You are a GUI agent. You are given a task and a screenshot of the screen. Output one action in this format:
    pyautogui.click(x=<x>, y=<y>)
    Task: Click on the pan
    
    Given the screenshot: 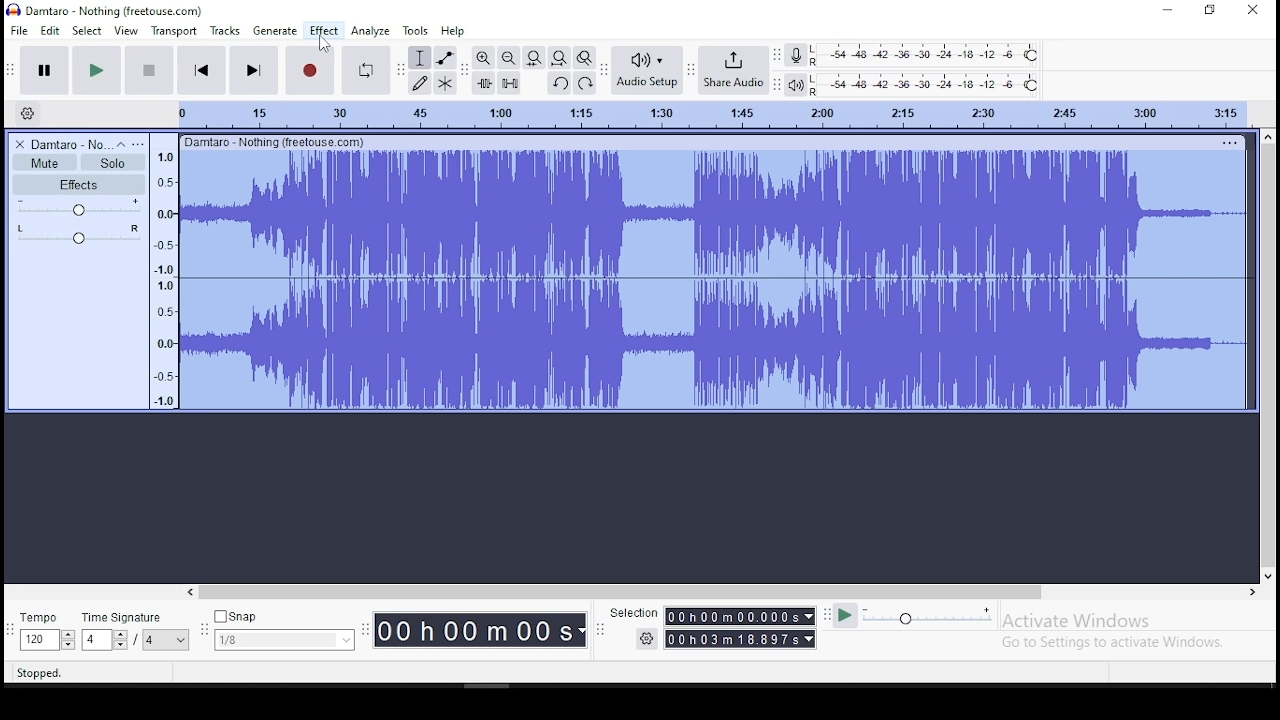 What is the action you would take?
    pyautogui.click(x=78, y=233)
    